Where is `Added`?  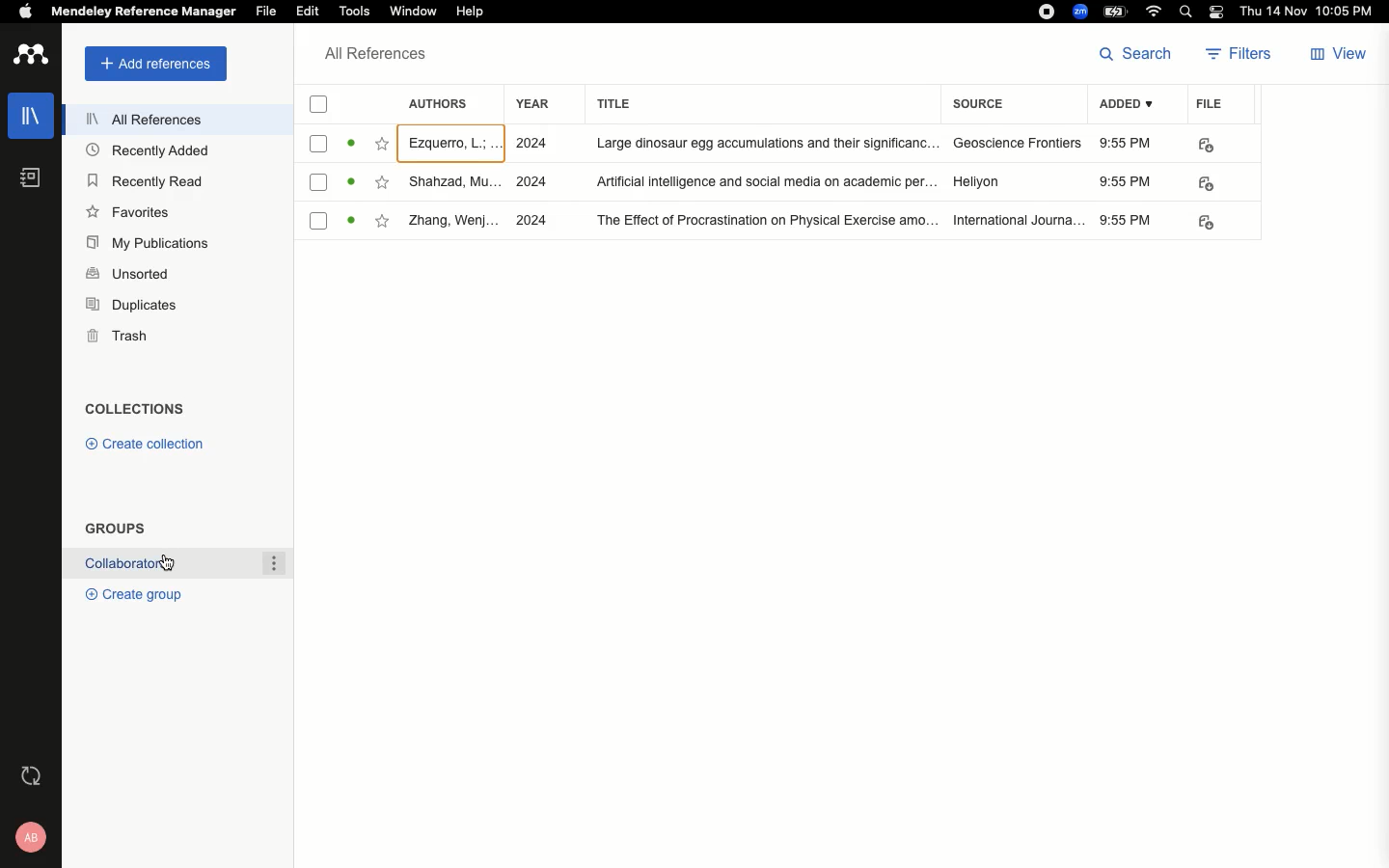
Added is located at coordinates (1127, 107).